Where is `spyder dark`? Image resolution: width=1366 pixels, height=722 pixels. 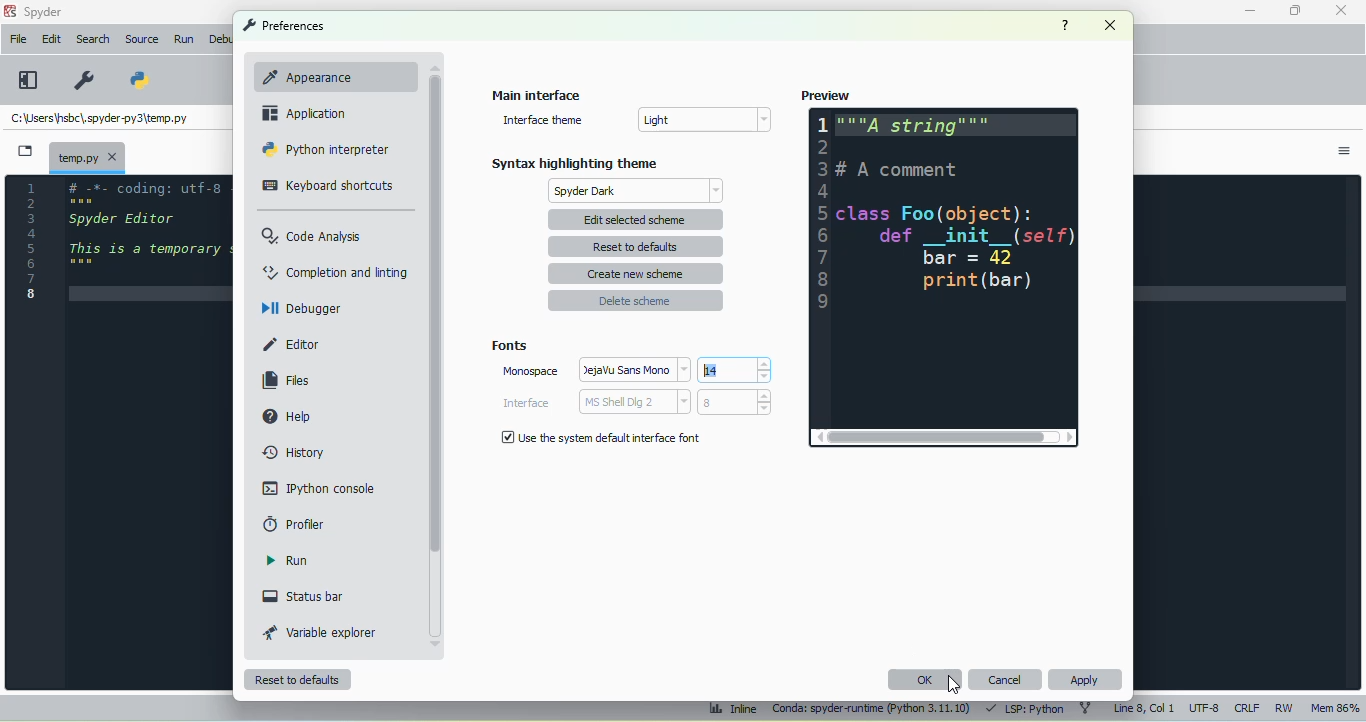 spyder dark is located at coordinates (638, 191).